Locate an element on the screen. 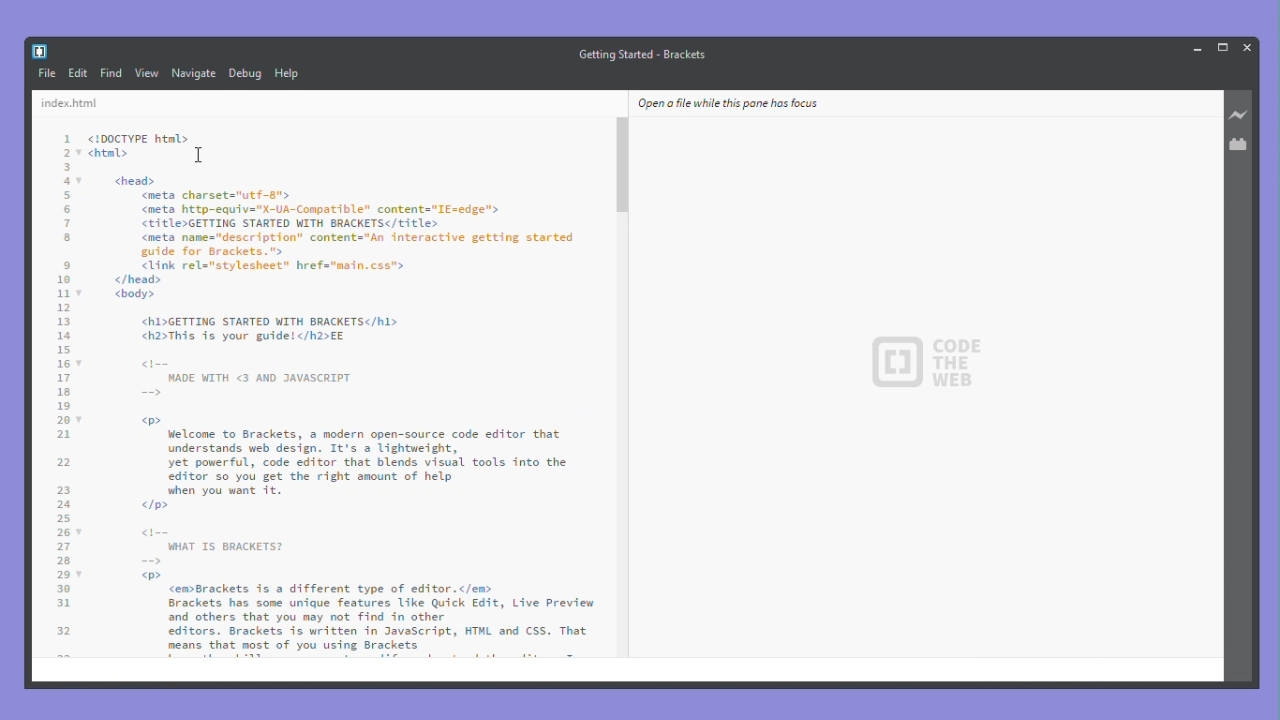 This screenshot has width=1280, height=720. cursor is located at coordinates (198, 156).